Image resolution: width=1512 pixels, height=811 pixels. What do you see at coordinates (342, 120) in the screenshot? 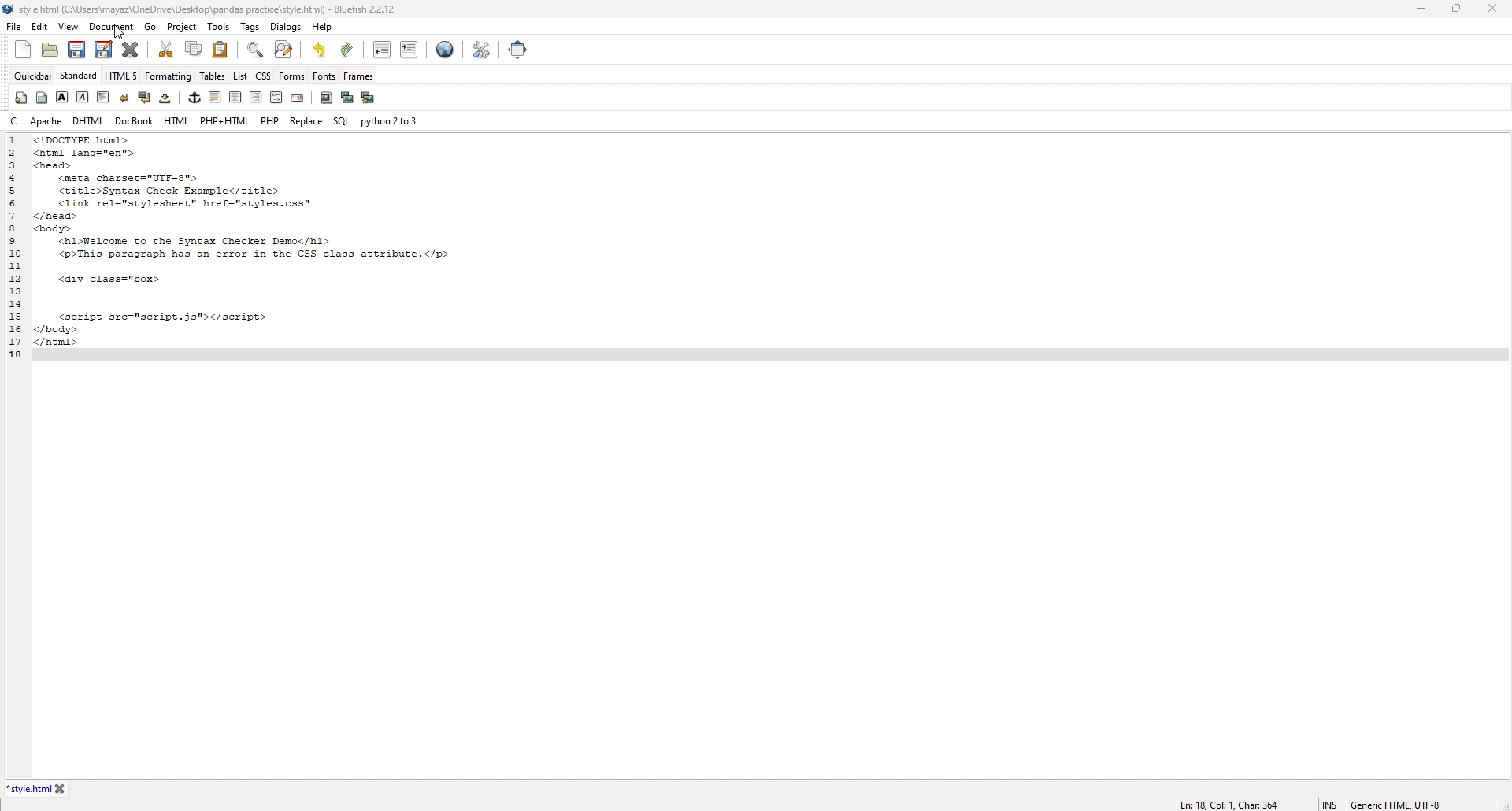
I see `sql` at bounding box center [342, 120].